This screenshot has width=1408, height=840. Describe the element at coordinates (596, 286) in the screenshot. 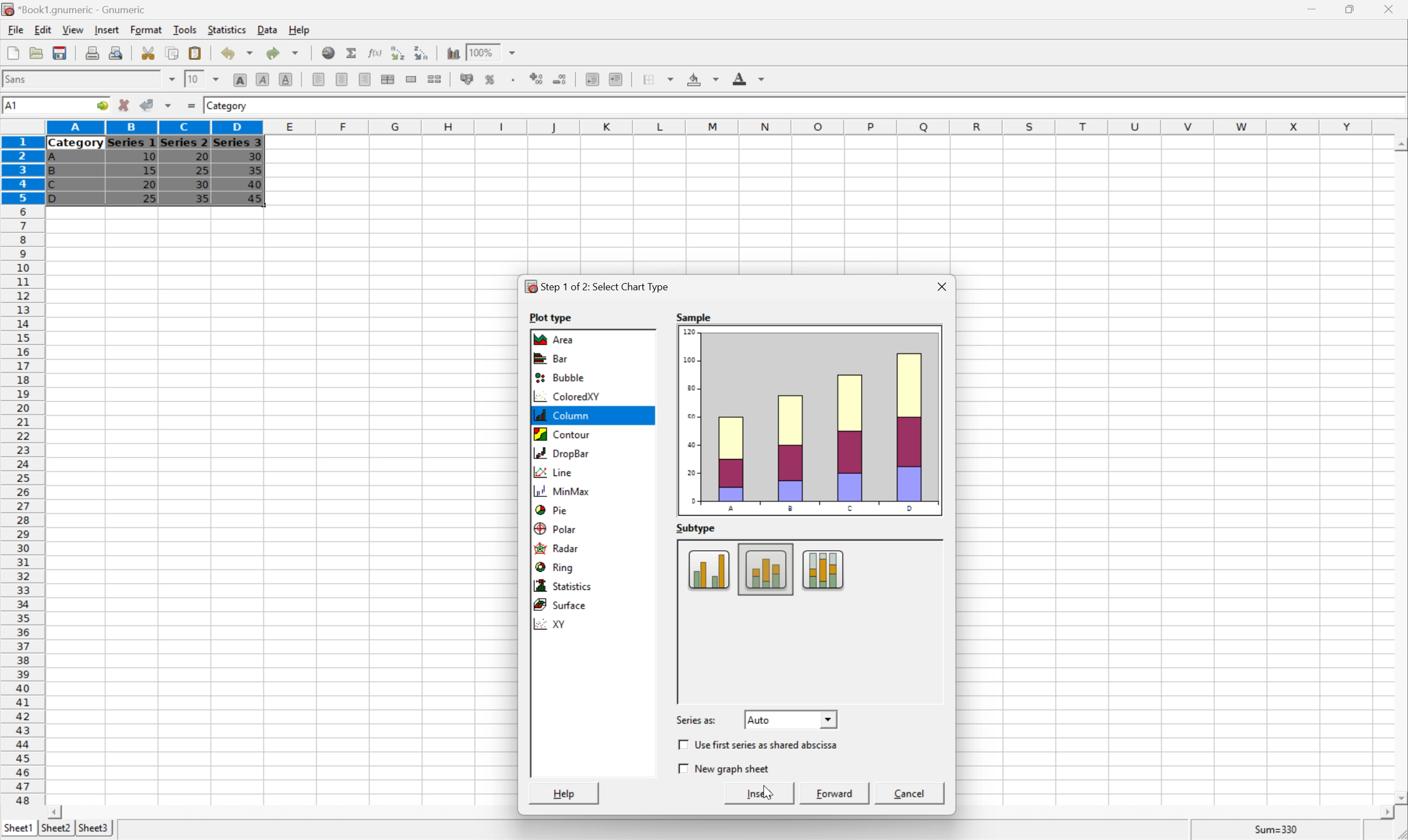

I see `Step1 of 2: Select Chart Type` at that location.